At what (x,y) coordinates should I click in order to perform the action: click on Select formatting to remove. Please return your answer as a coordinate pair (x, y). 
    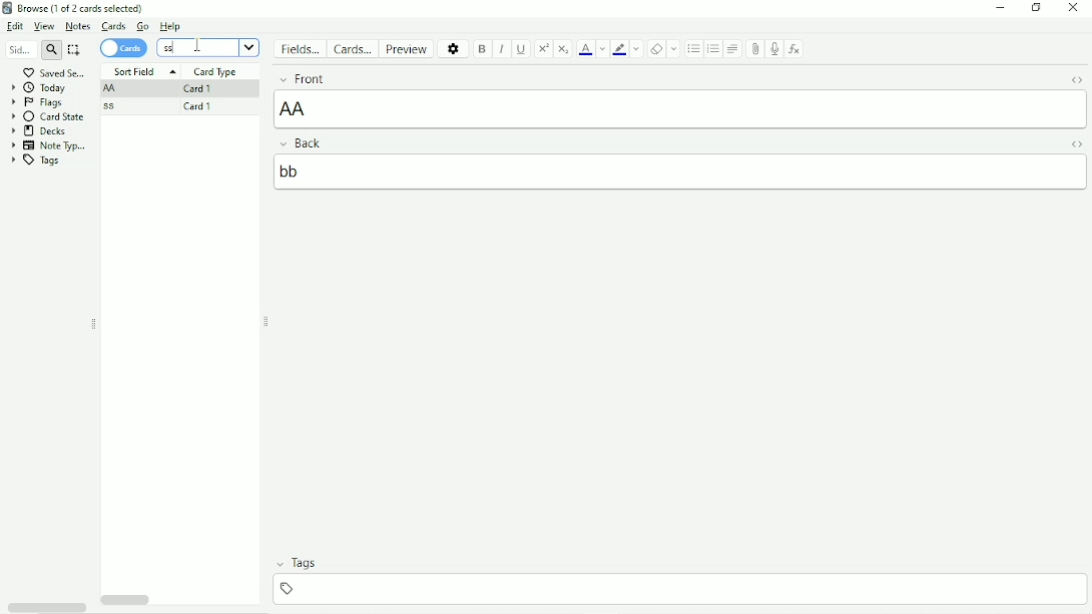
    Looking at the image, I should click on (675, 49).